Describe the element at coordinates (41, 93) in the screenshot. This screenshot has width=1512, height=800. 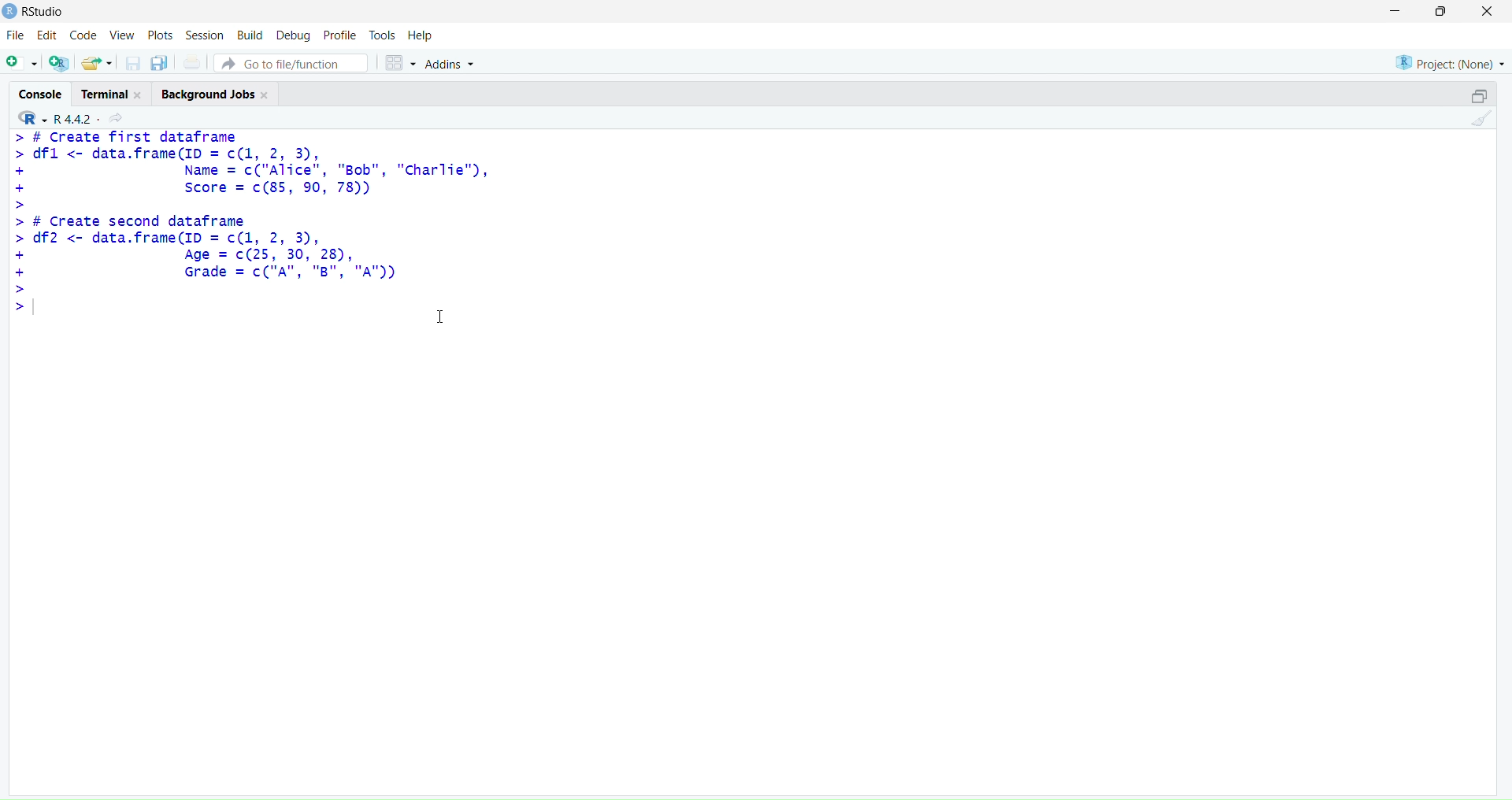
I see `Console` at that location.